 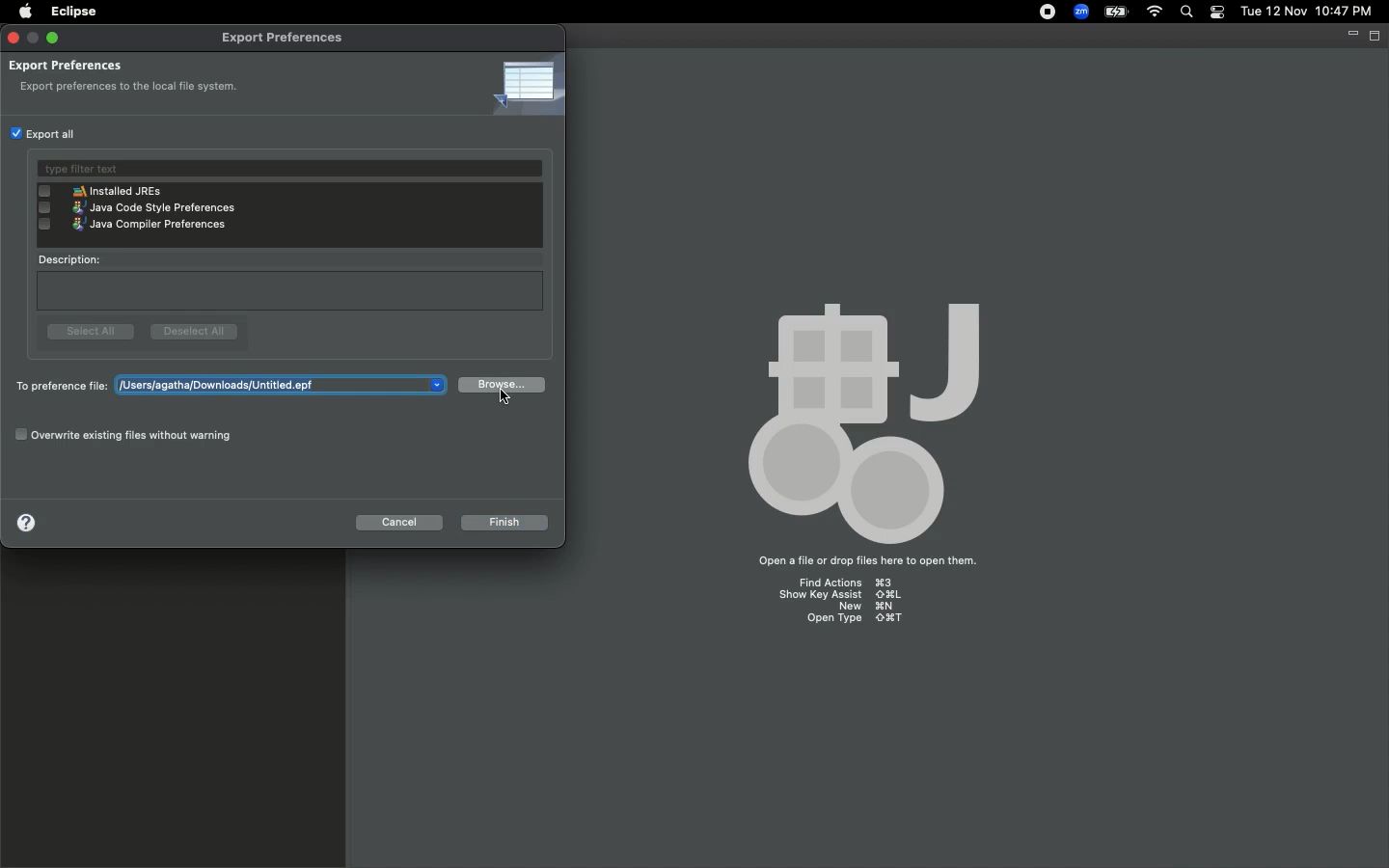 What do you see at coordinates (140, 191) in the screenshot?
I see `installed JREs` at bounding box center [140, 191].